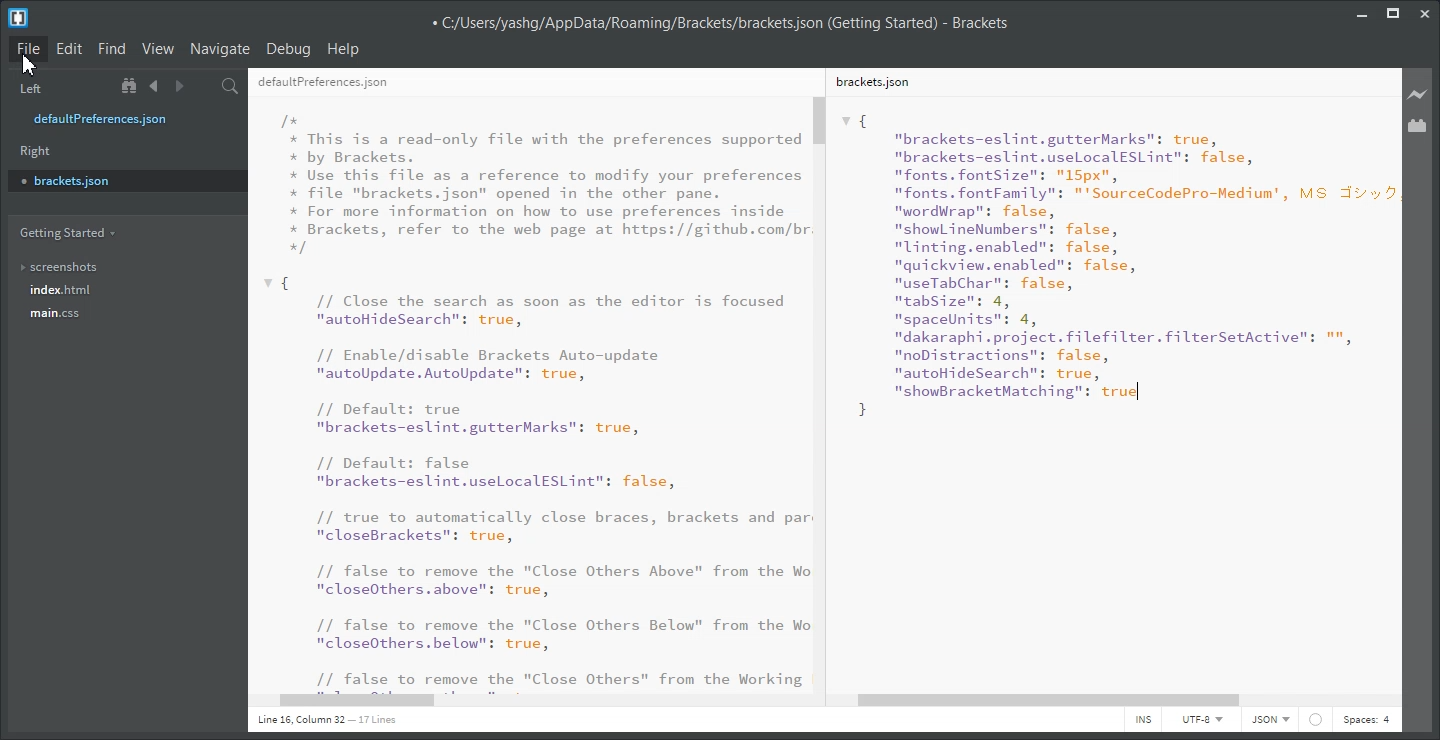  What do you see at coordinates (69, 49) in the screenshot?
I see `Edit` at bounding box center [69, 49].